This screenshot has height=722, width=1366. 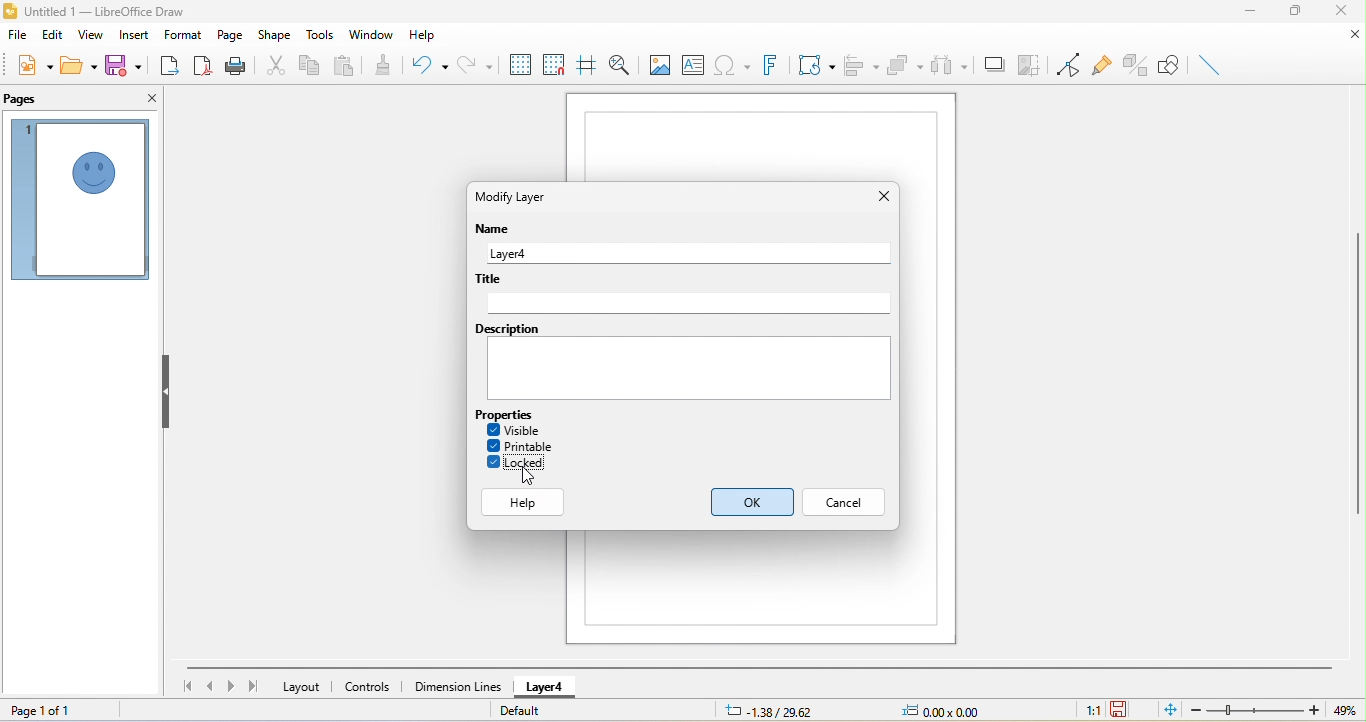 I want to click on open, so click(x=78, y=65).